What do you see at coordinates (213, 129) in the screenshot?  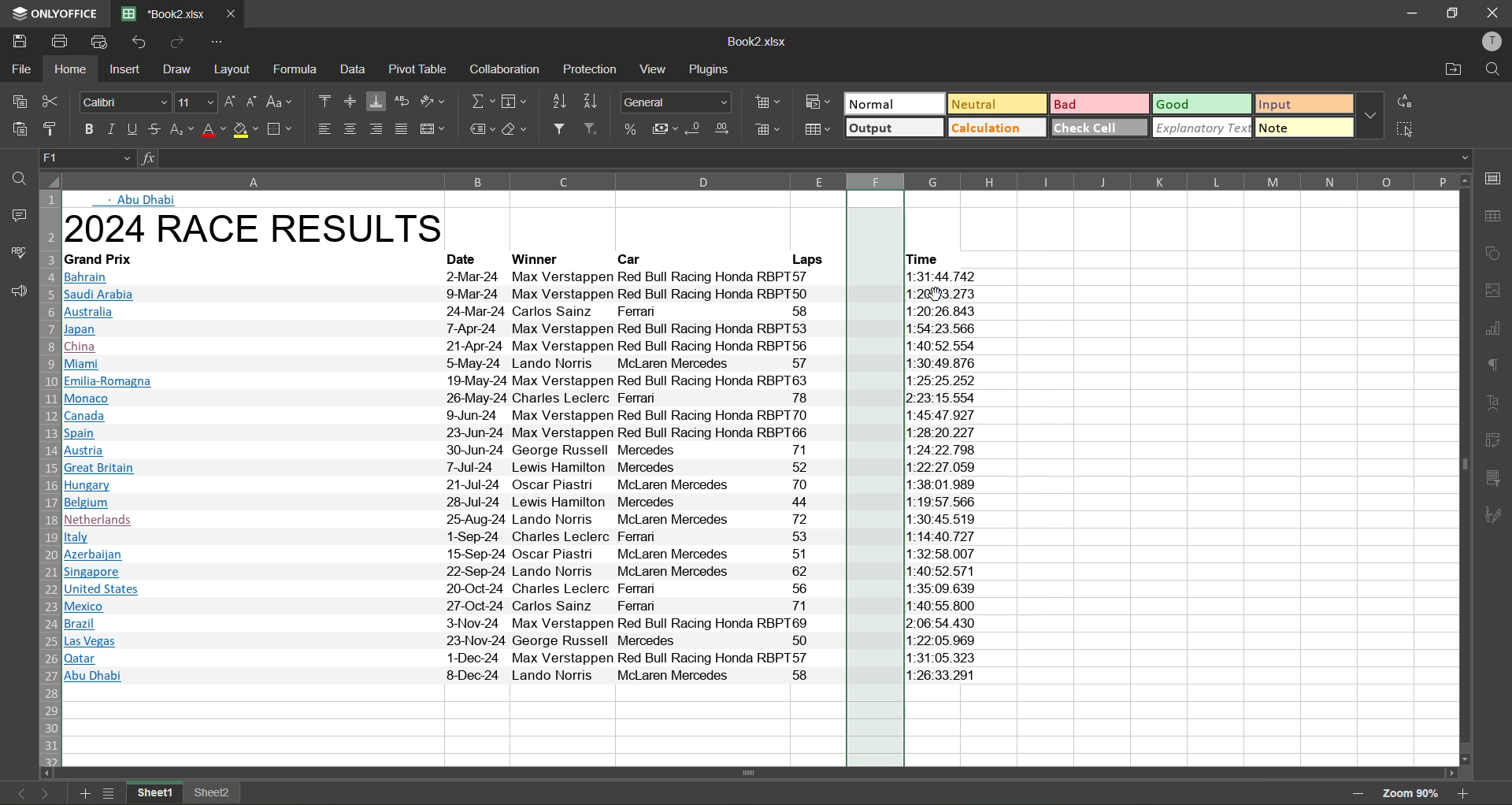 I see `font color` at bounding box center [213, 129].